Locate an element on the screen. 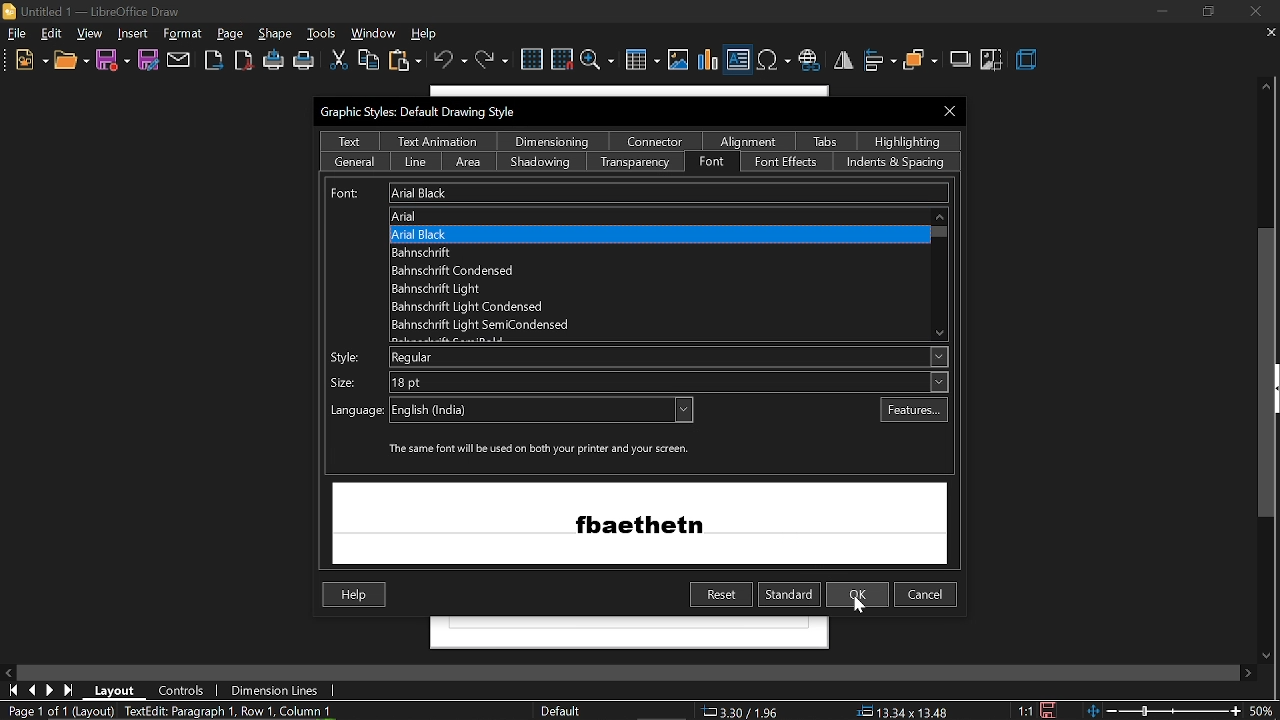 This screenshot has width=1280, height=720. indents and spacing is located at coordinates (898, 164).